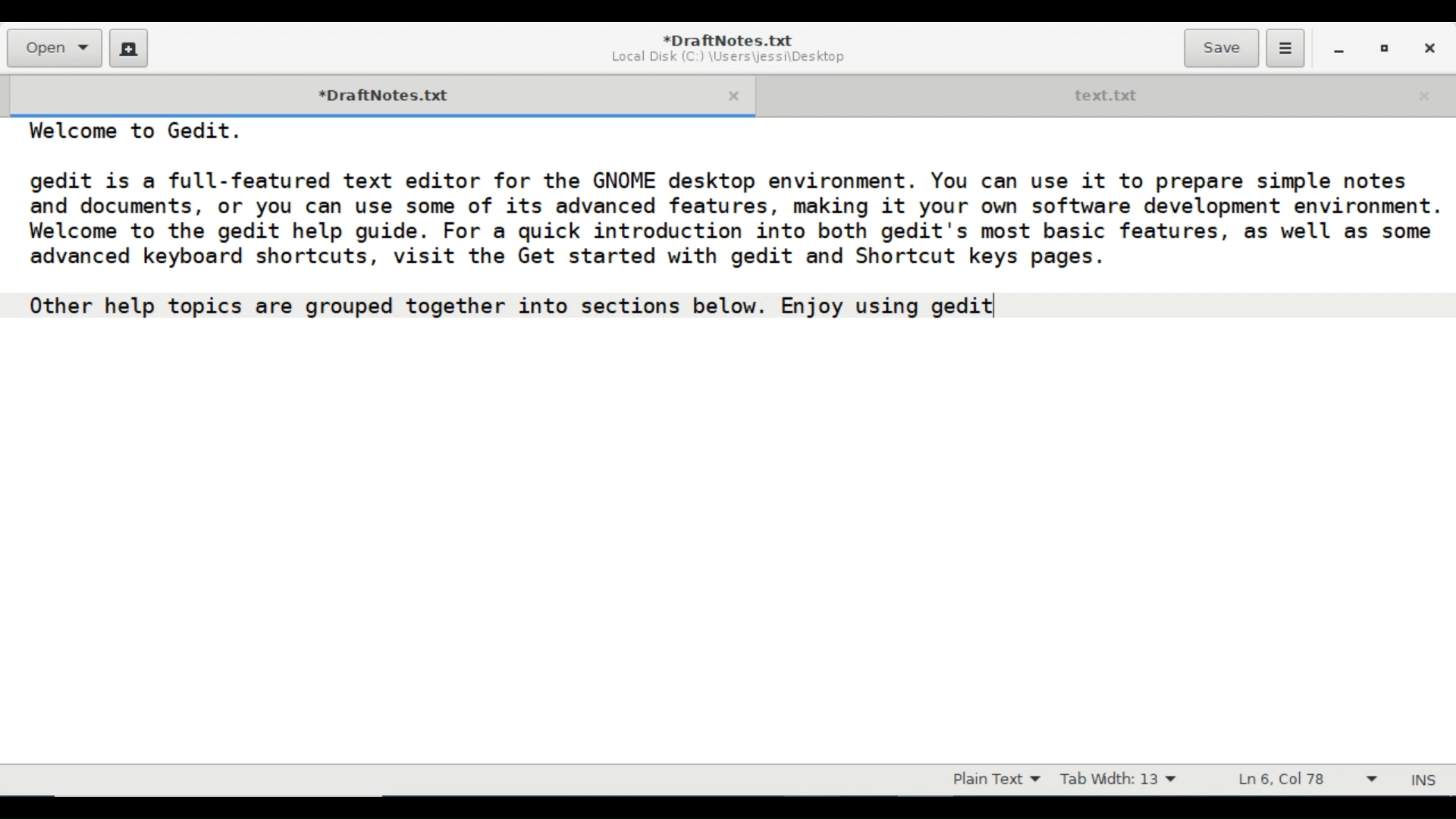 This screenshot has height=819, width=1456. I want to click on Document Path, so click(727, 58).